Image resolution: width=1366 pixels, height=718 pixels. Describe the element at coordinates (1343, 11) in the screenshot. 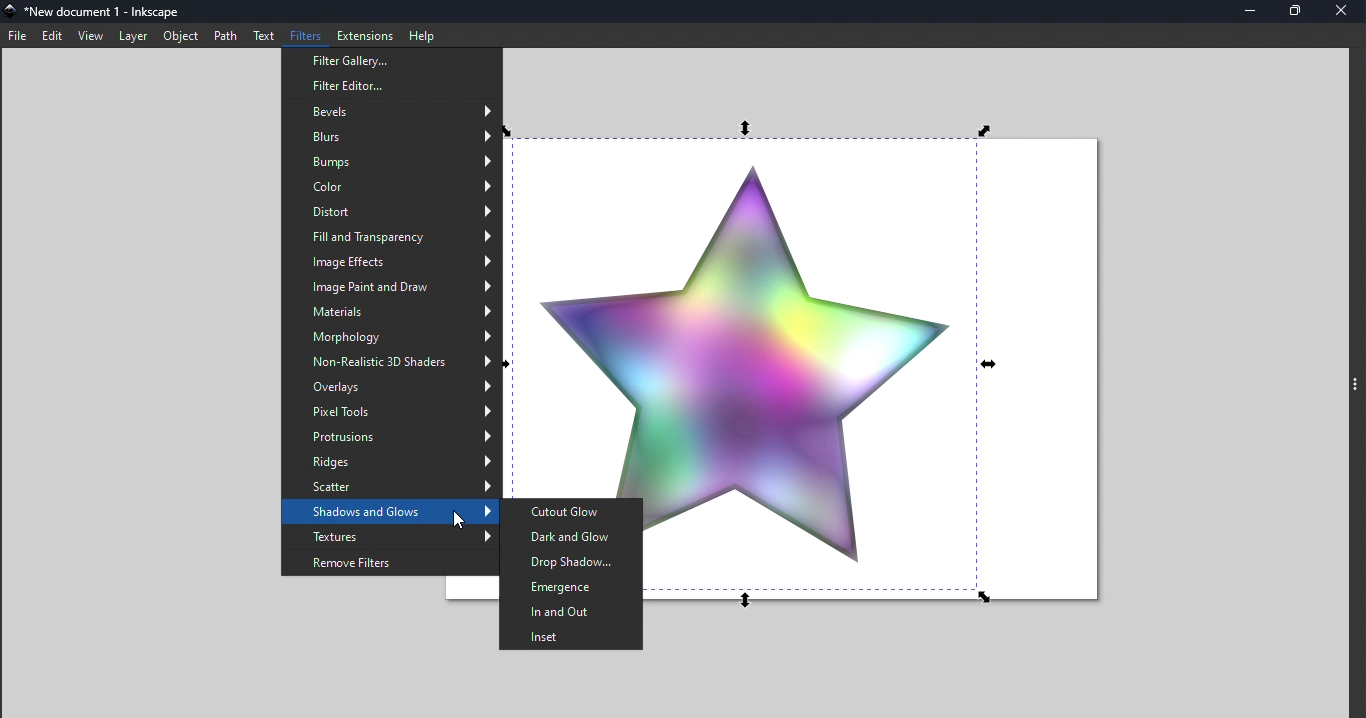

I see `Close` at that location.